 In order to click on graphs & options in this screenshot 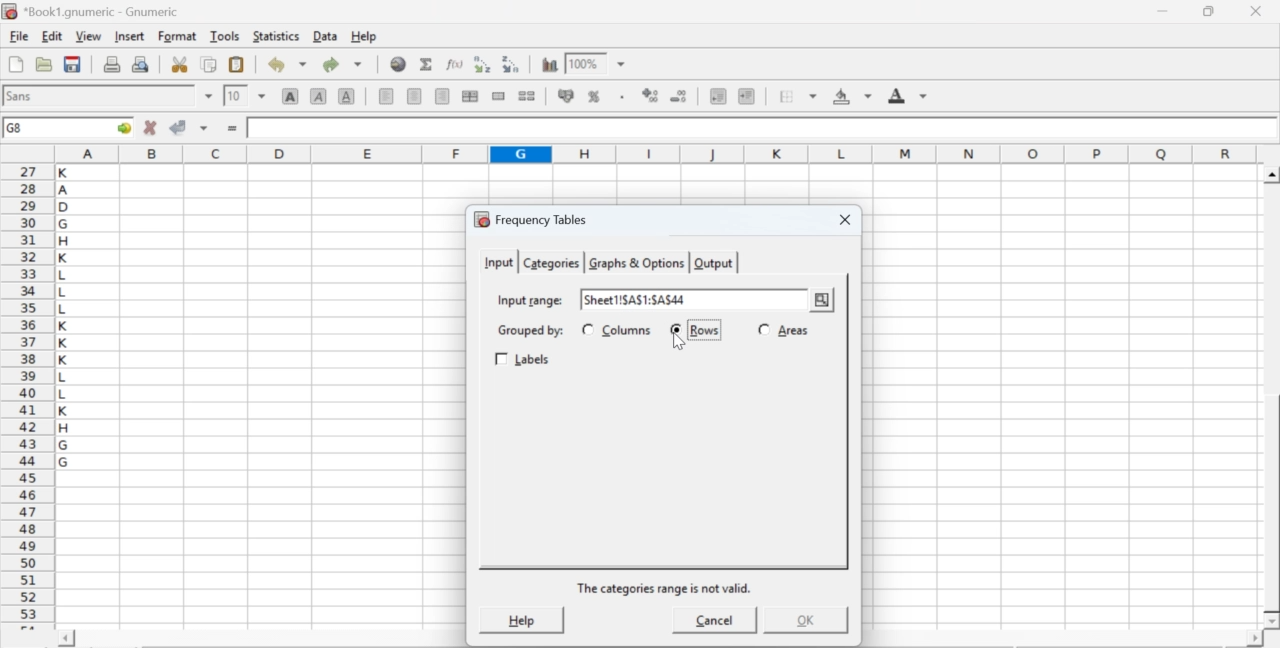, I will do `click(638, 263)`.